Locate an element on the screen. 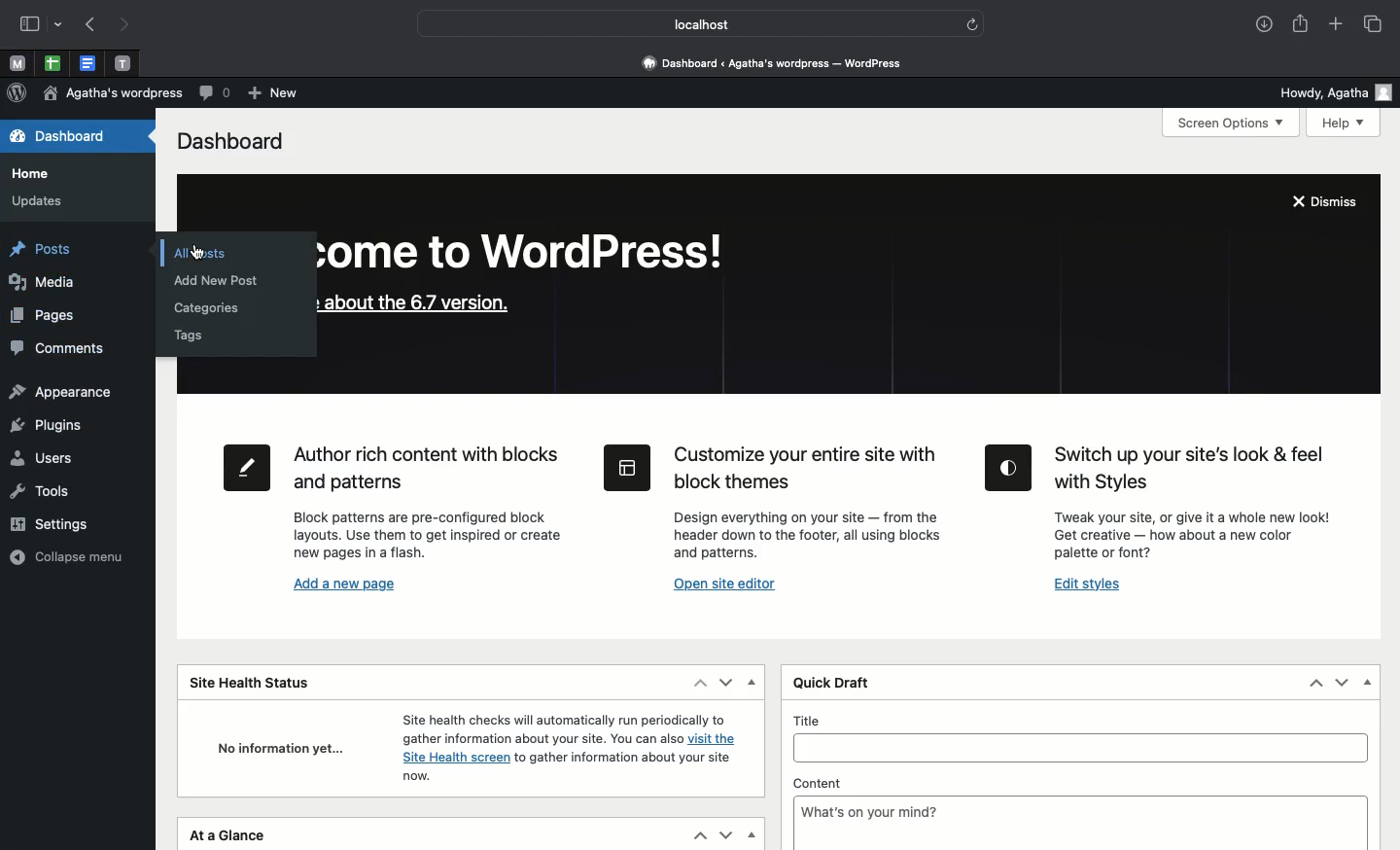 The height and width of the screenshot is (850, 1400). Updates is located at coordinates (41, 203).